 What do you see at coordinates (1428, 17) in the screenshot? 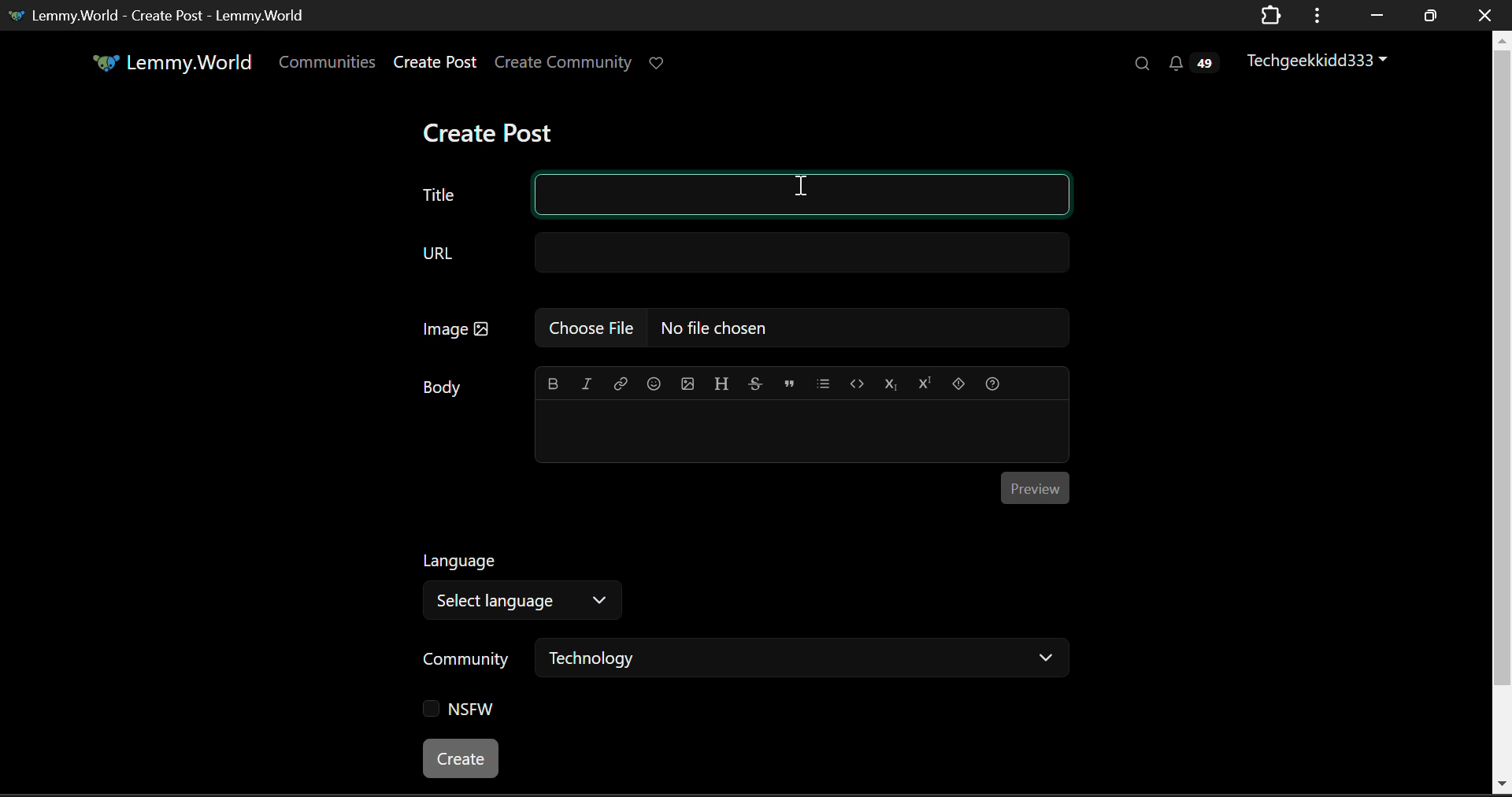
I see `Minimize Window` at bounding box center [1428, 17].